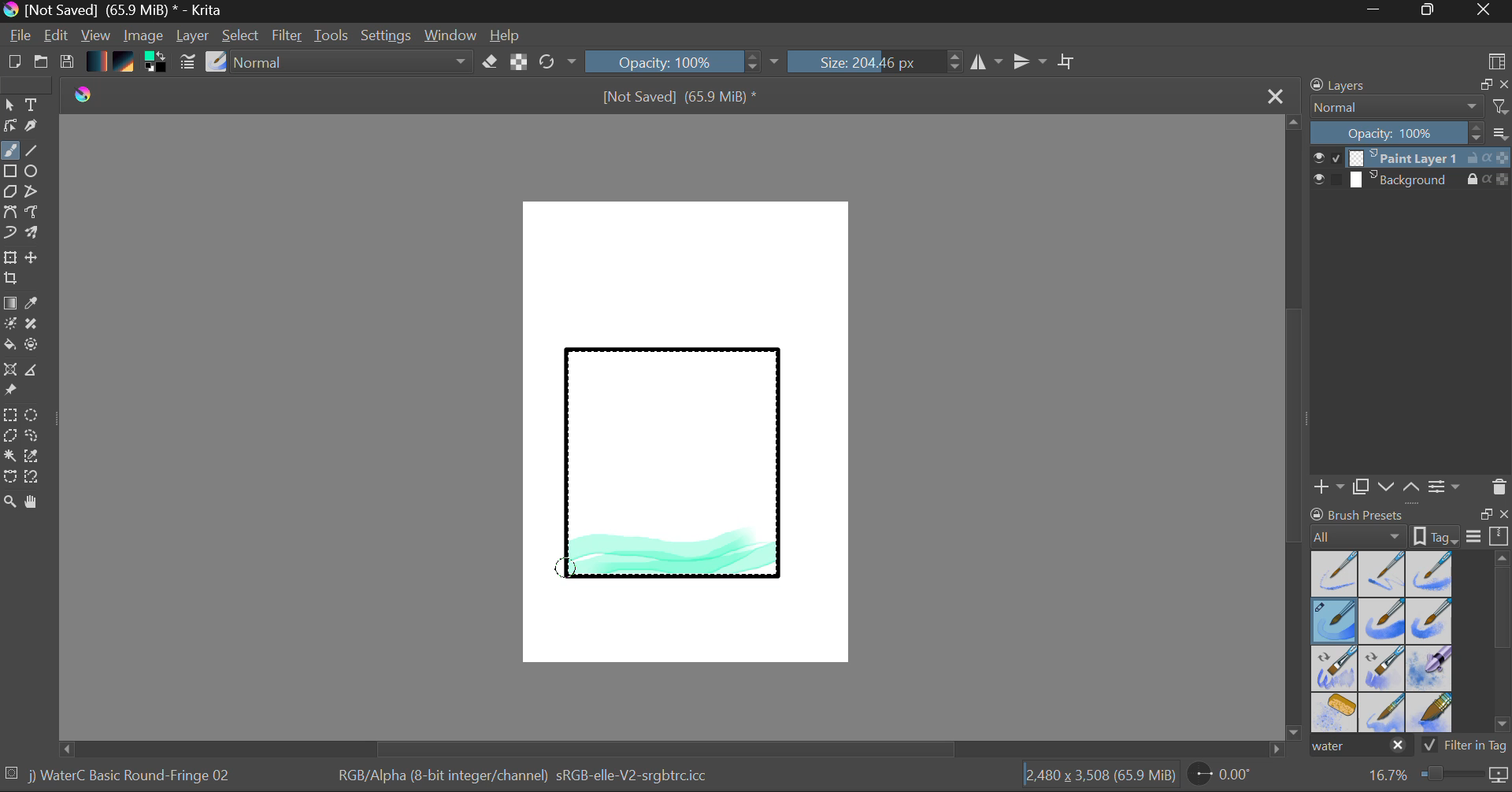  What do you see at coordinates (37, 327) in the screenshot?
I see `Smart Patch Tool` at bounding box center [37, 327].